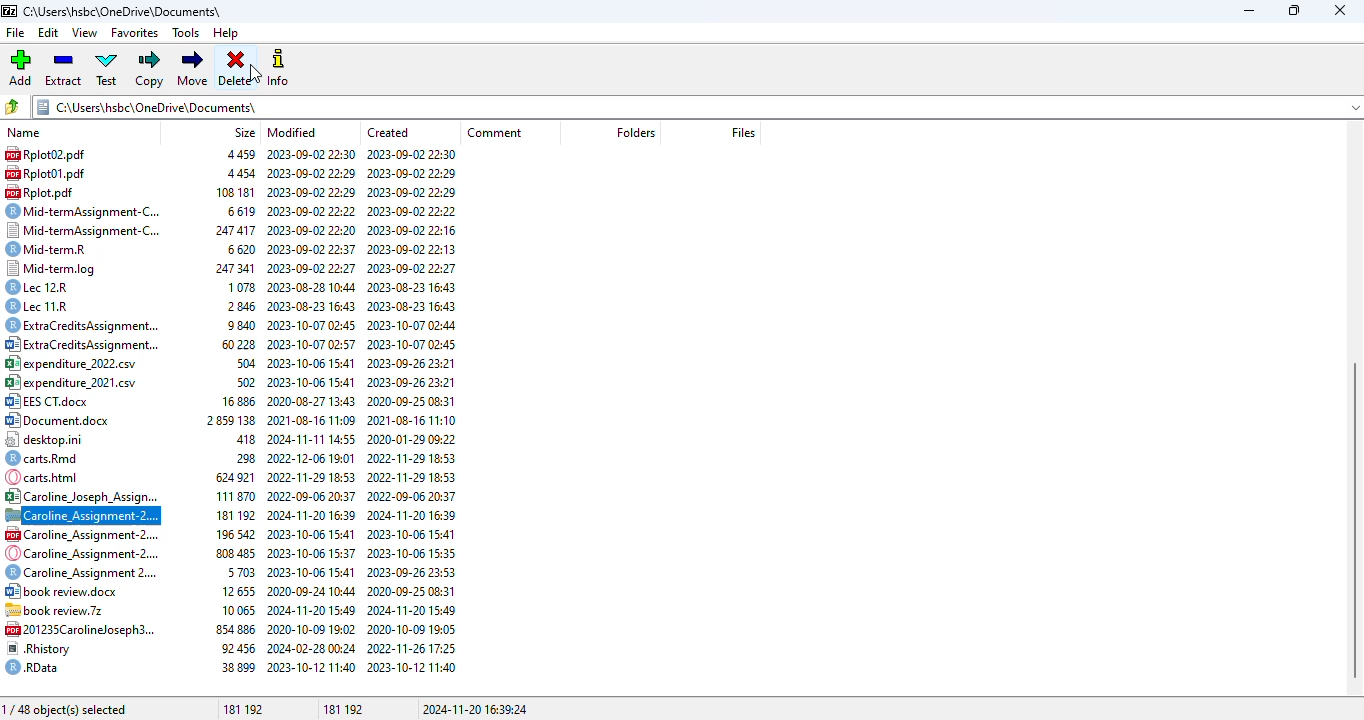  Describe the element at coordinates (80, 574) in the screenshot. I see ` Caroline_Assignment 2...` at that location.